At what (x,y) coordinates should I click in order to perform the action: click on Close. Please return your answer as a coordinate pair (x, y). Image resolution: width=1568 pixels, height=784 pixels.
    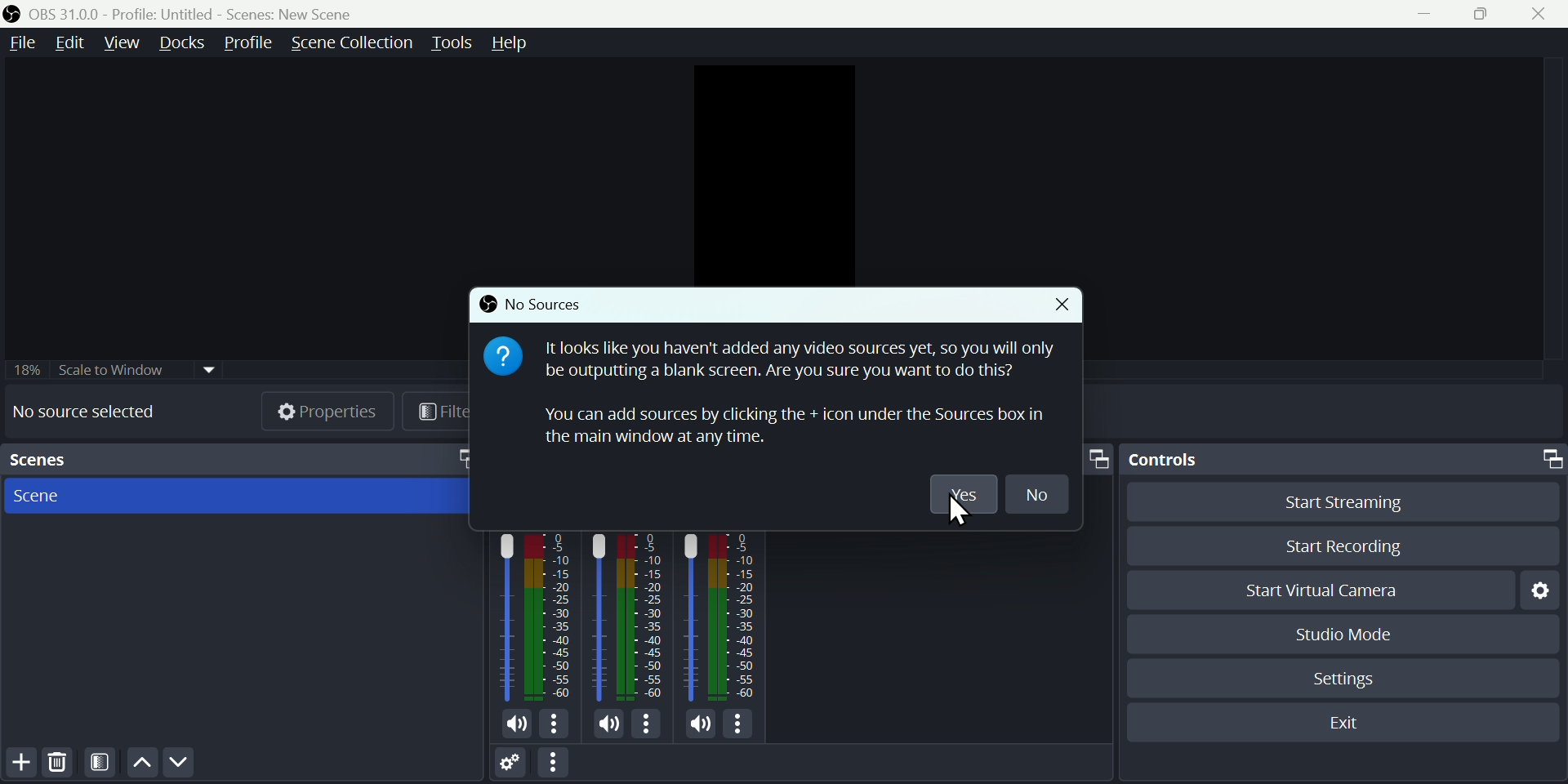
    Looking at the image, I should click on (1539, 16).